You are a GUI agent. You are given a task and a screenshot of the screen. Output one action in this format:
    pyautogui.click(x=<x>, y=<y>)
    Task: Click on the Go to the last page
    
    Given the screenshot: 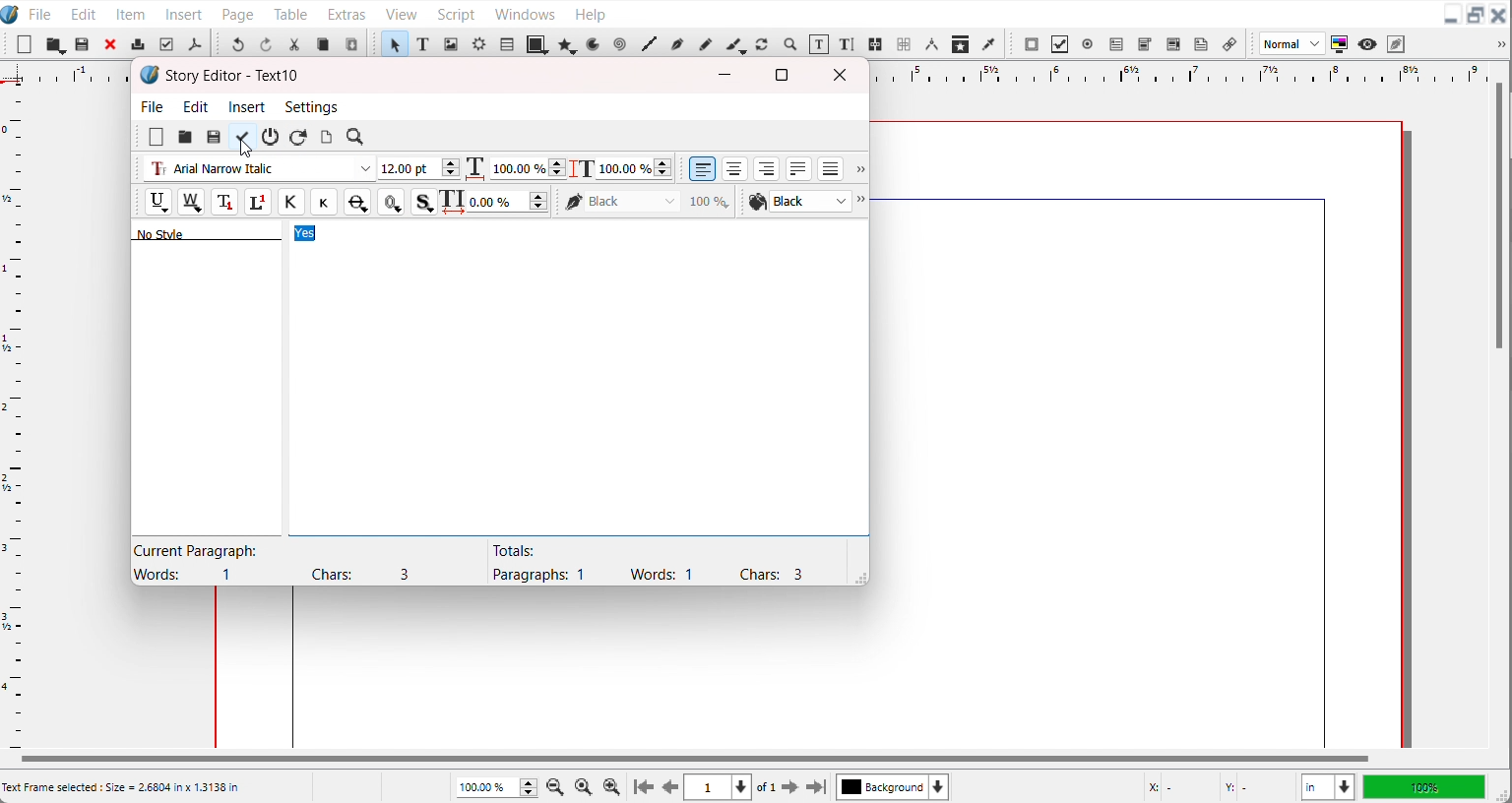 What is the action you would take?
    pyautogui.click(x=816, y=787)
    